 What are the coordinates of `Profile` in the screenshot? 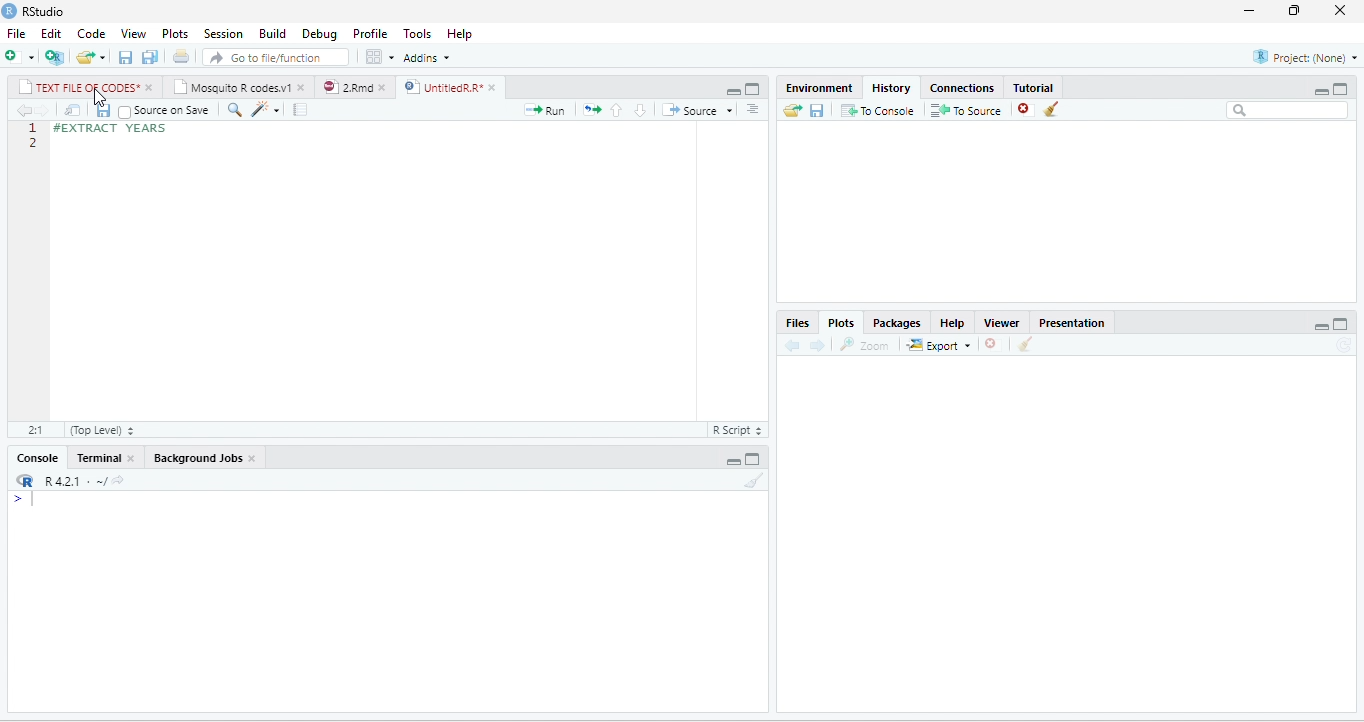 It's located at (371, 35).